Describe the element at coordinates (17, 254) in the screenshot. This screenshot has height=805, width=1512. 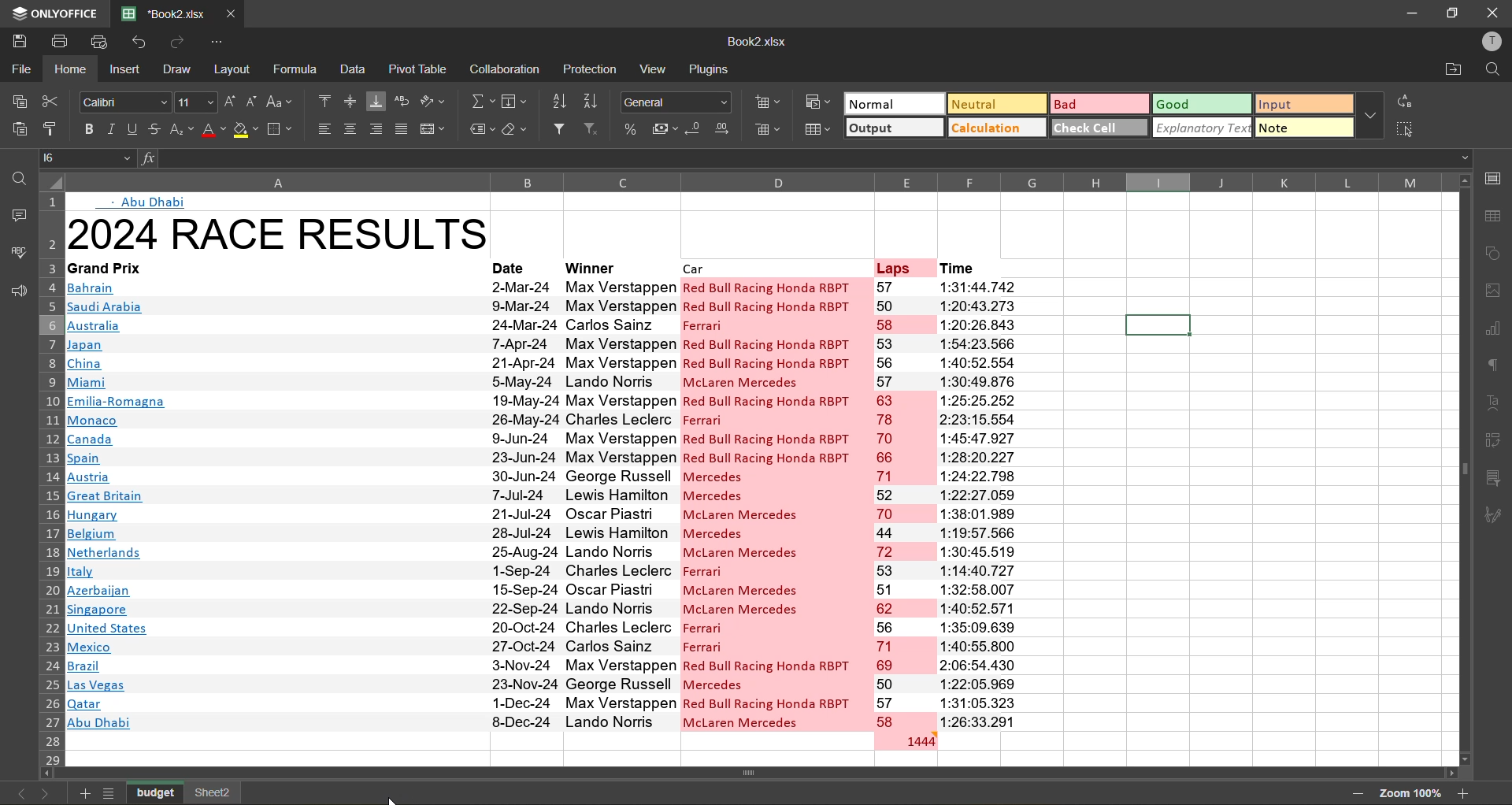
I see `spellcheck` at that location.